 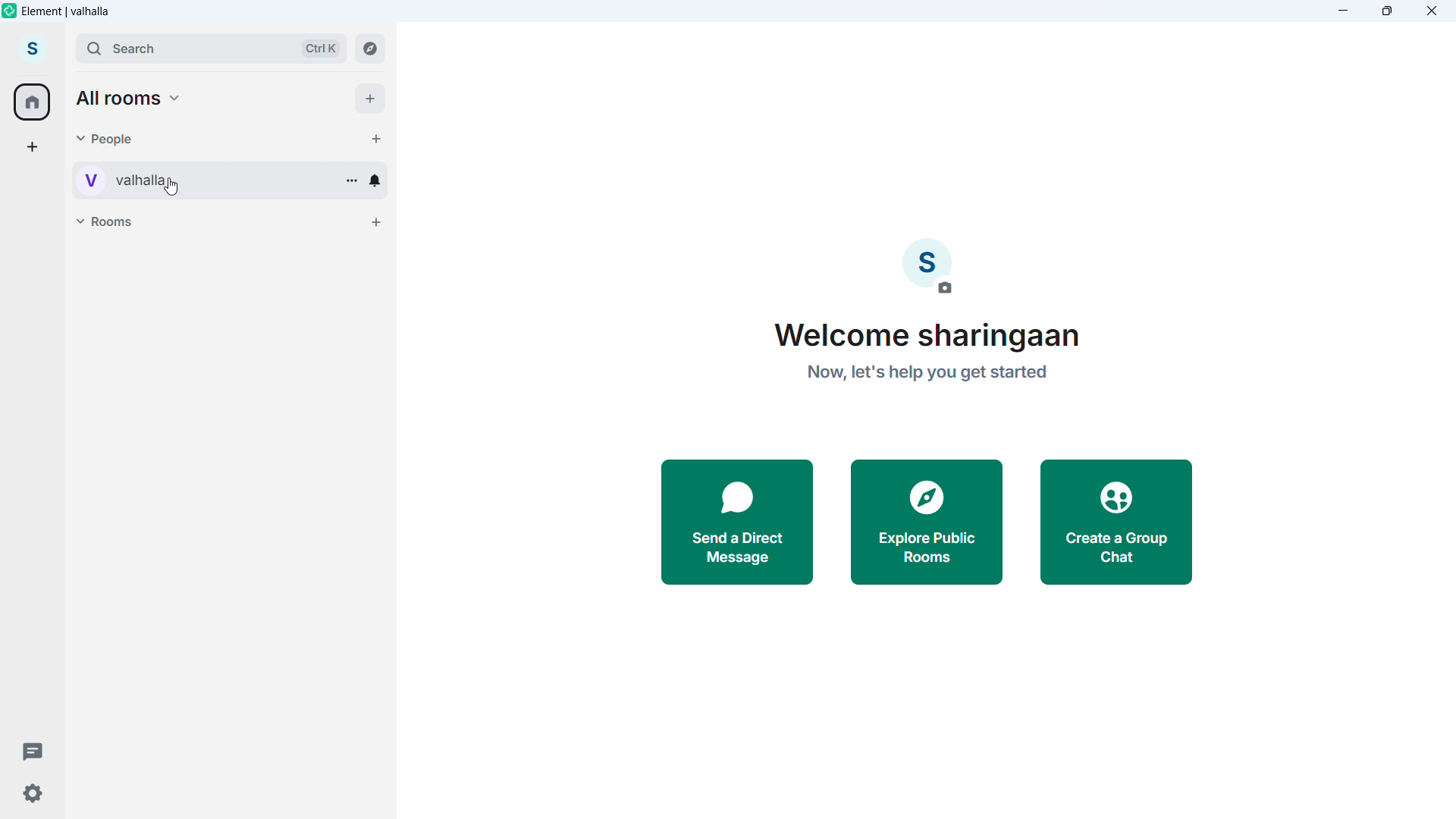 What do you see at coordinates (926, 265) in the screenshot?
I see `account image` at bounding box center [926, 265].